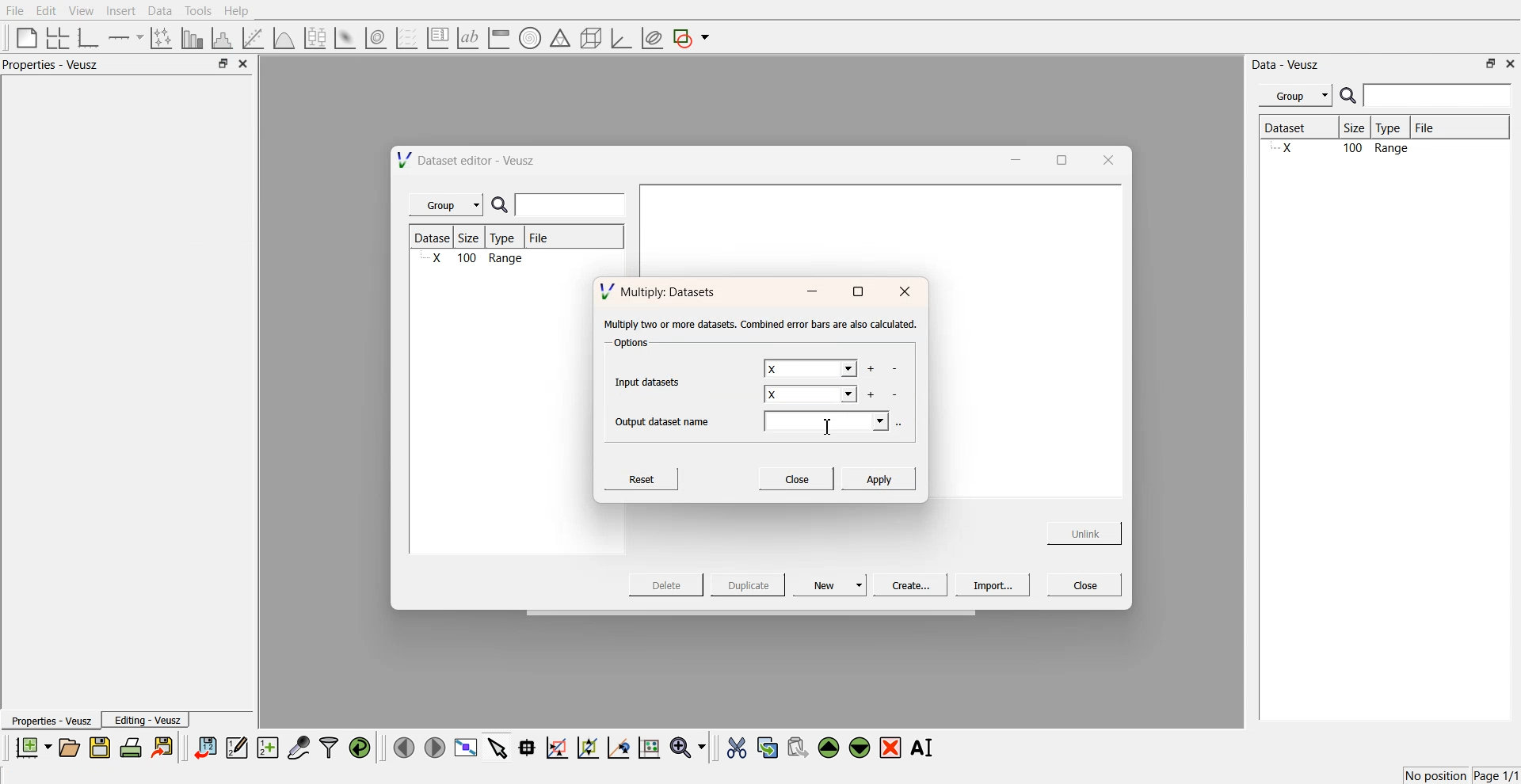 The width and height of the screenshot is (1521, 784). Describe the element at coordinates (811, 292) in the screenshot. I see `minimise` at that location.